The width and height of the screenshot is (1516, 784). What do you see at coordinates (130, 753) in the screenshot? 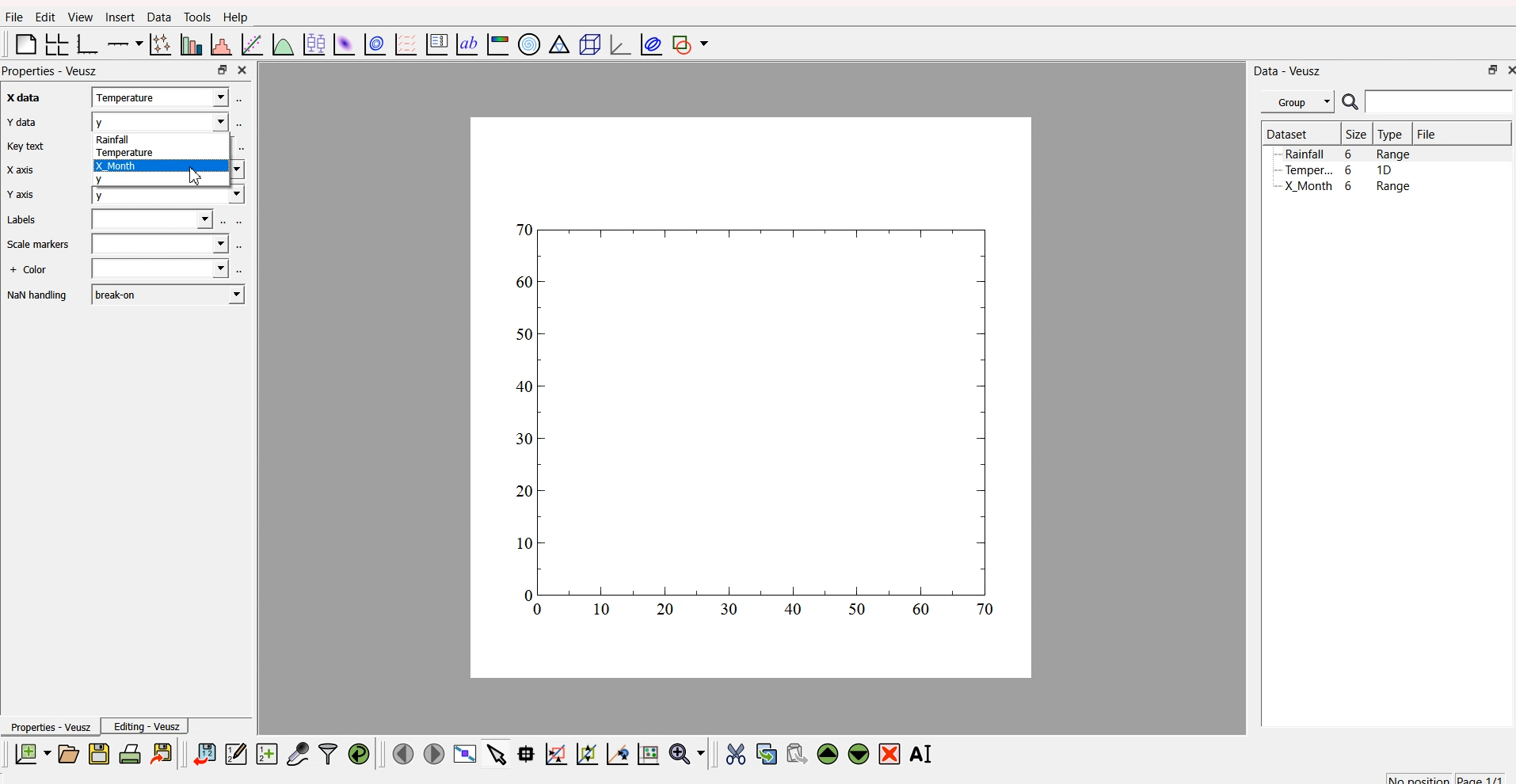
I see `print document` at bounding box center [130, 753].